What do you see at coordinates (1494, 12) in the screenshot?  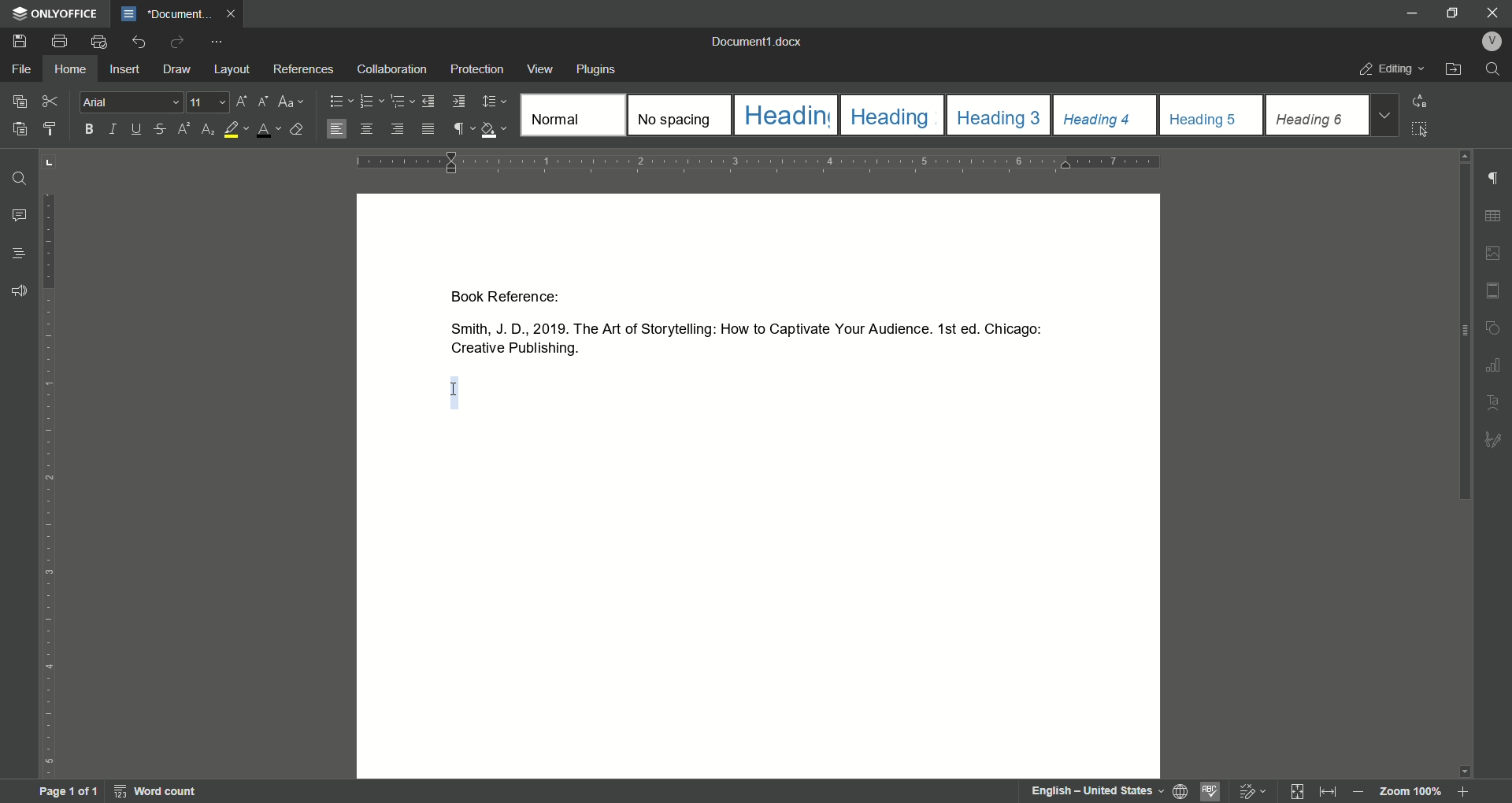 I see `close` at bounding box center [1494, 12].